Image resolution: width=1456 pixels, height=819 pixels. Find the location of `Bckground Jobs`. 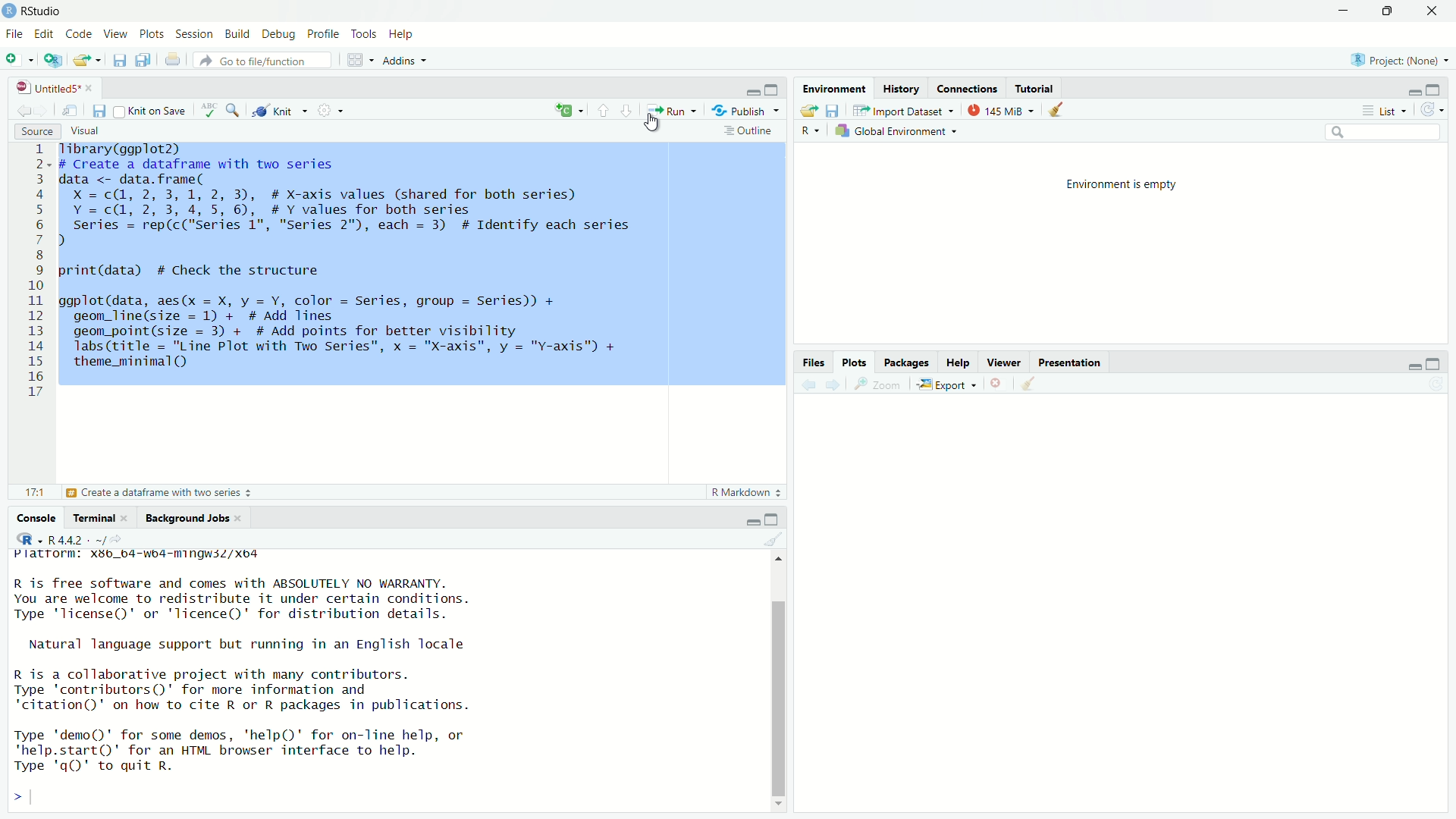

Bckground Jobs is located at coordinates (192, 516).